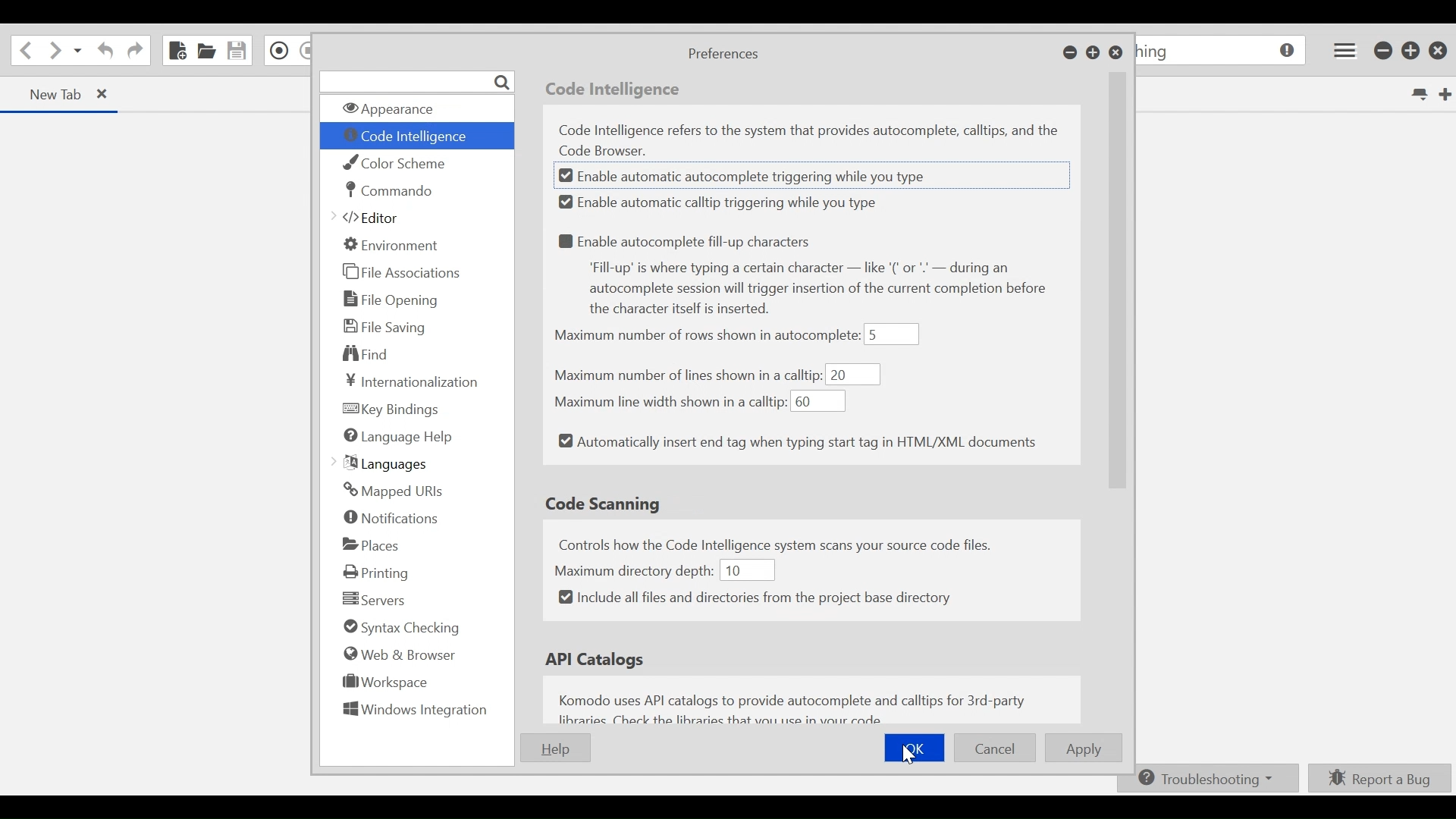 The image size is (1456, 819). I want to click on Troubleshooting, so click(1205, 779).